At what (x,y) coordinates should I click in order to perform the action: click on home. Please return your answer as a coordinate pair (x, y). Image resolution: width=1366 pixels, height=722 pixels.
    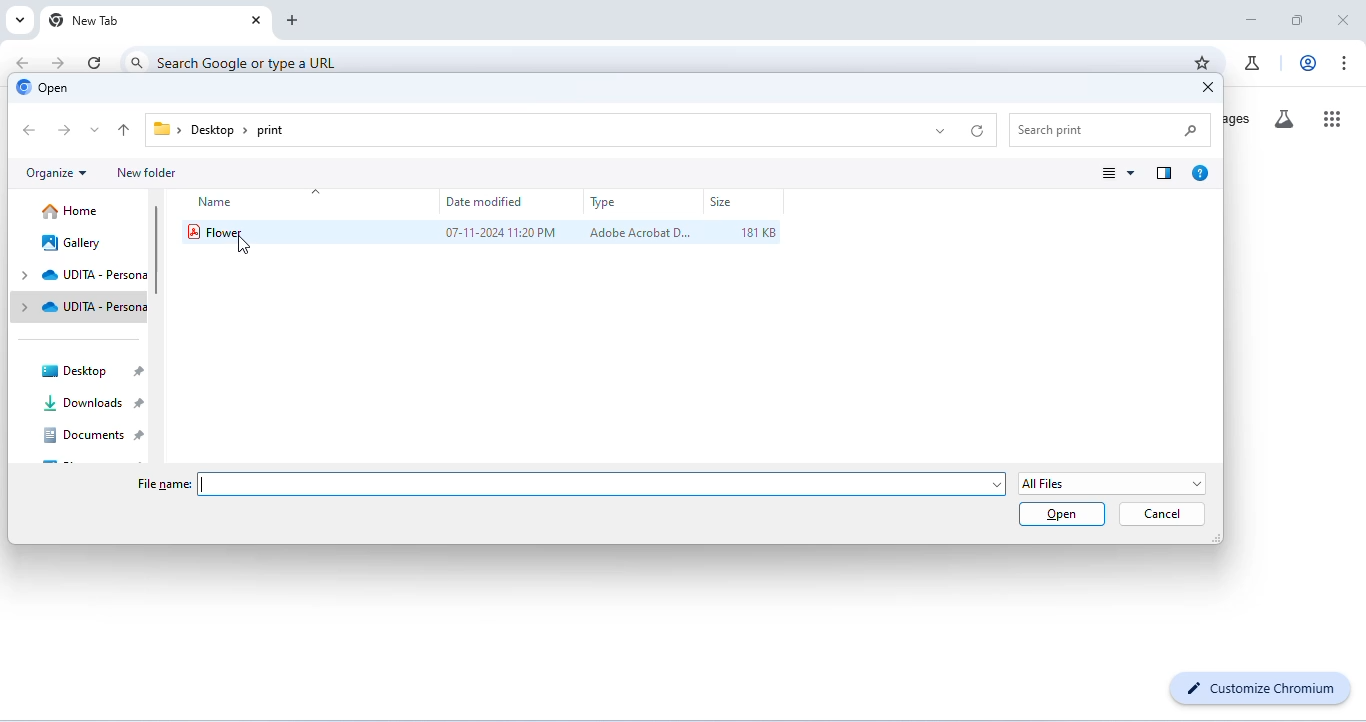
    Looking at the image, I should click on (71, 212).